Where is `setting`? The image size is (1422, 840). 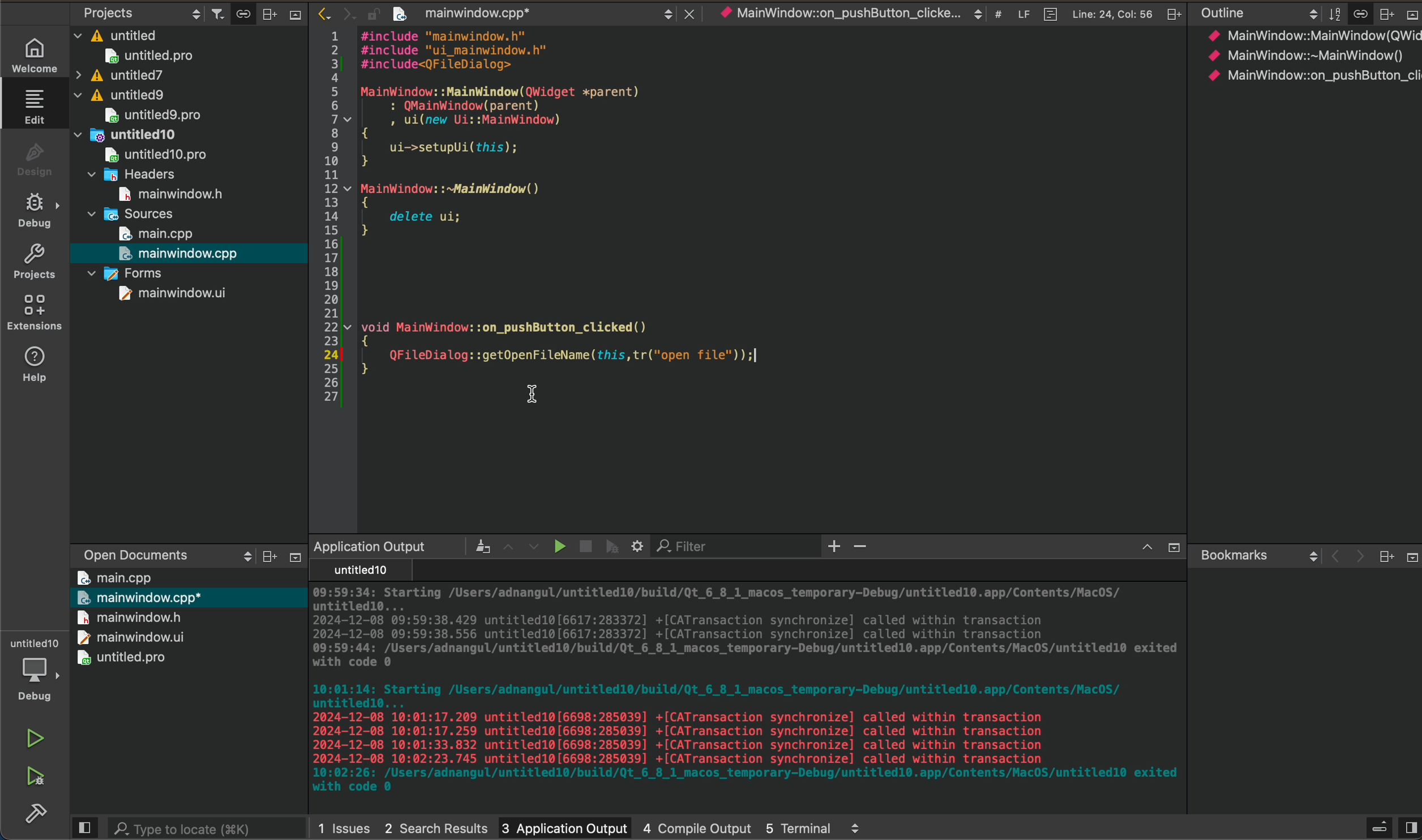 setting is located at coordinates (639, 546).